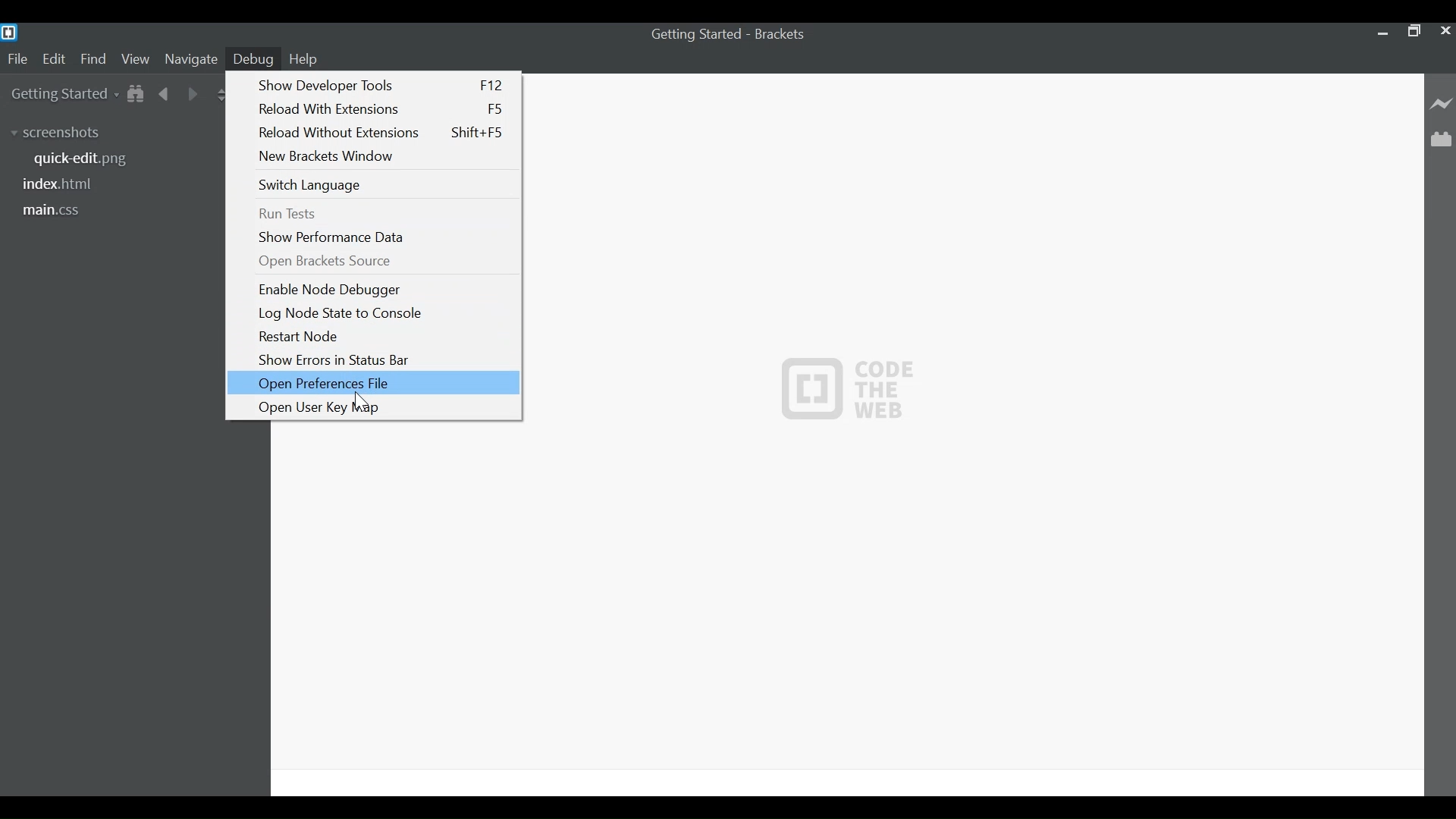 This screenshot has height=819, width=1456. Describe the element at coordinates (841, 387) in the screenshot. I see `Code the web` at that location.